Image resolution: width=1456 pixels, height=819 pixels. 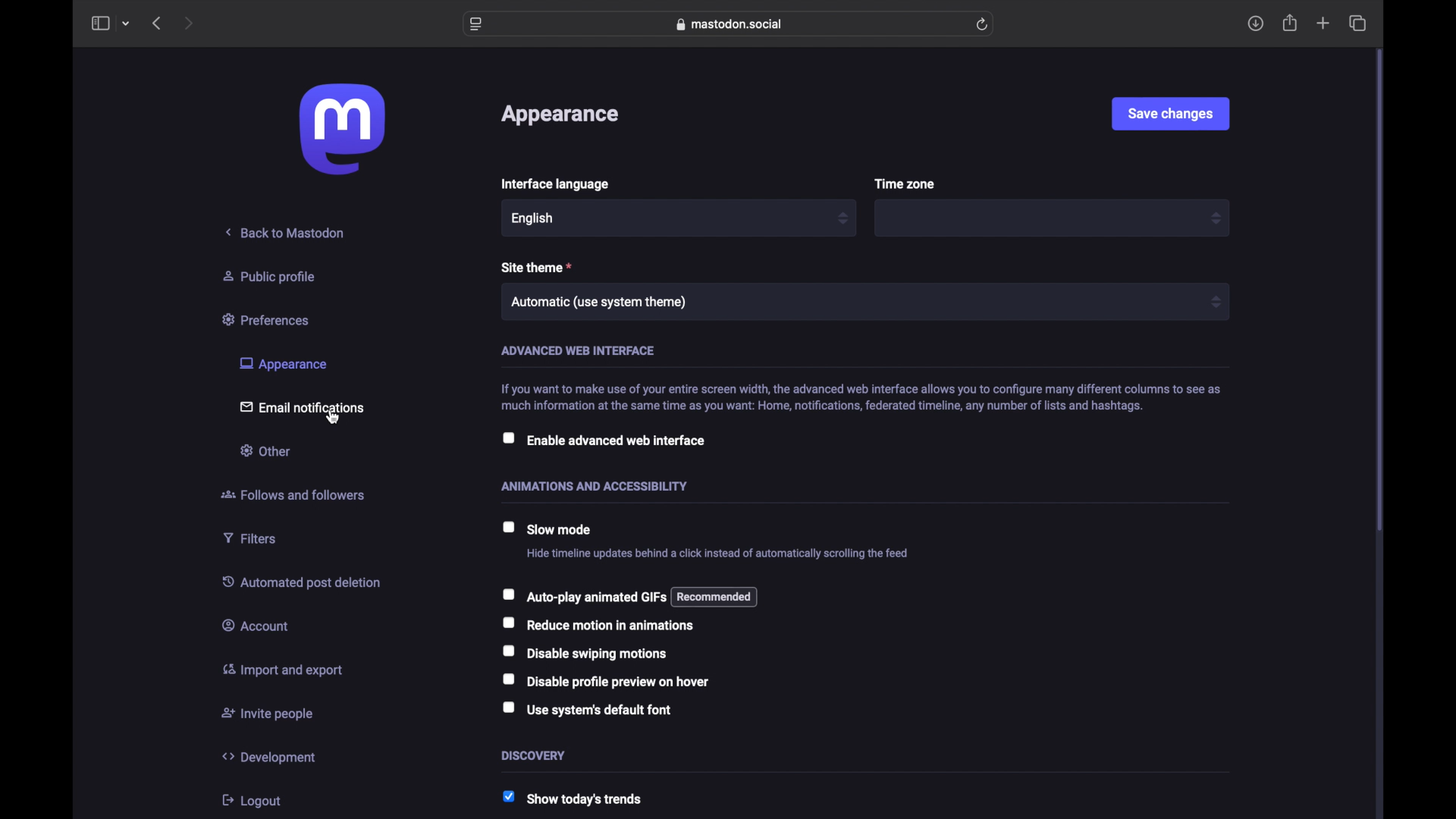 What do you see at coordinates (1170, 113) in the screenshot?
I see `save changes` at bounding box center [1170, 113].